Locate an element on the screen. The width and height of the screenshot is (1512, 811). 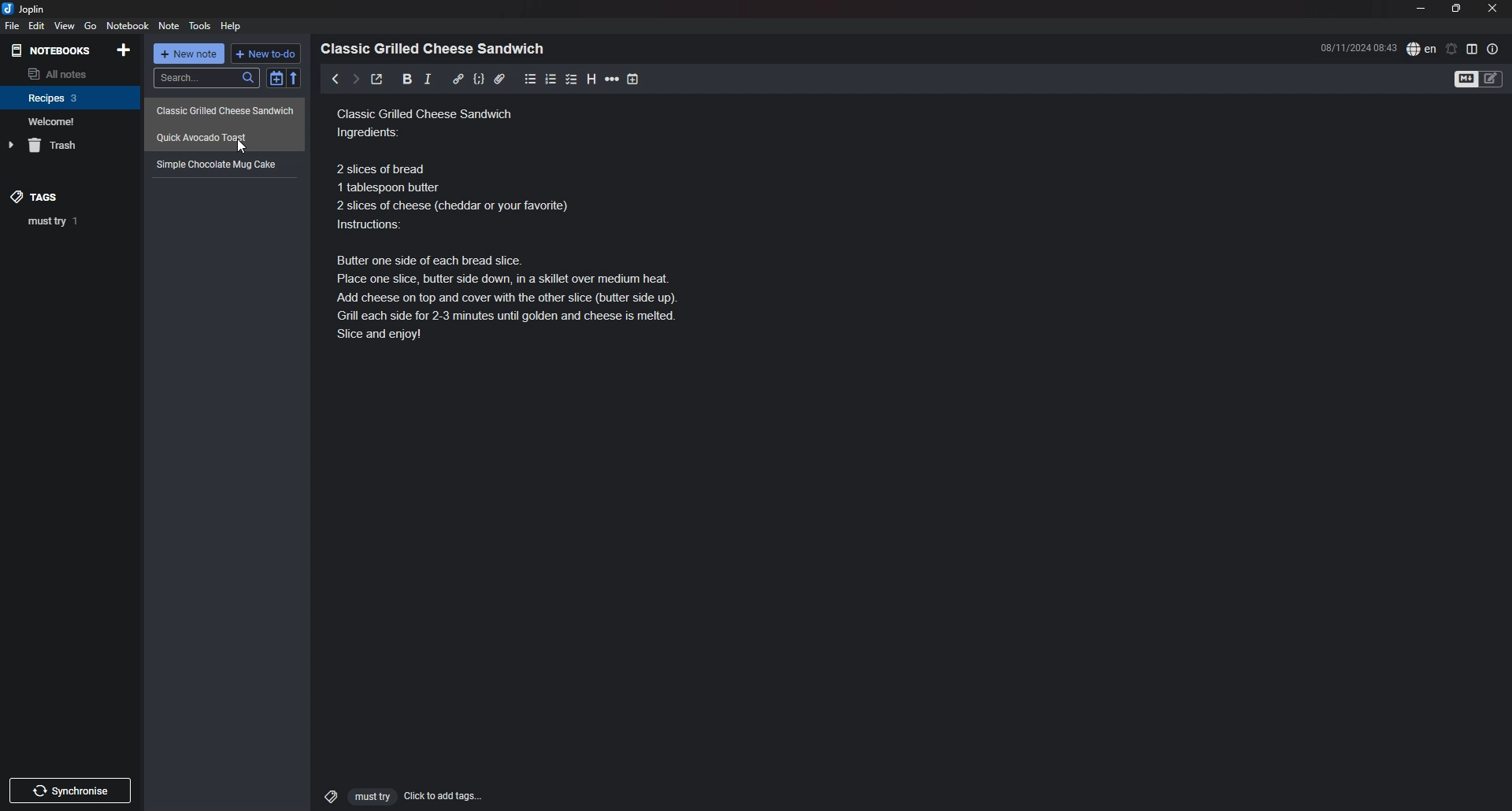
joplin is located at coordinates (26, 9).